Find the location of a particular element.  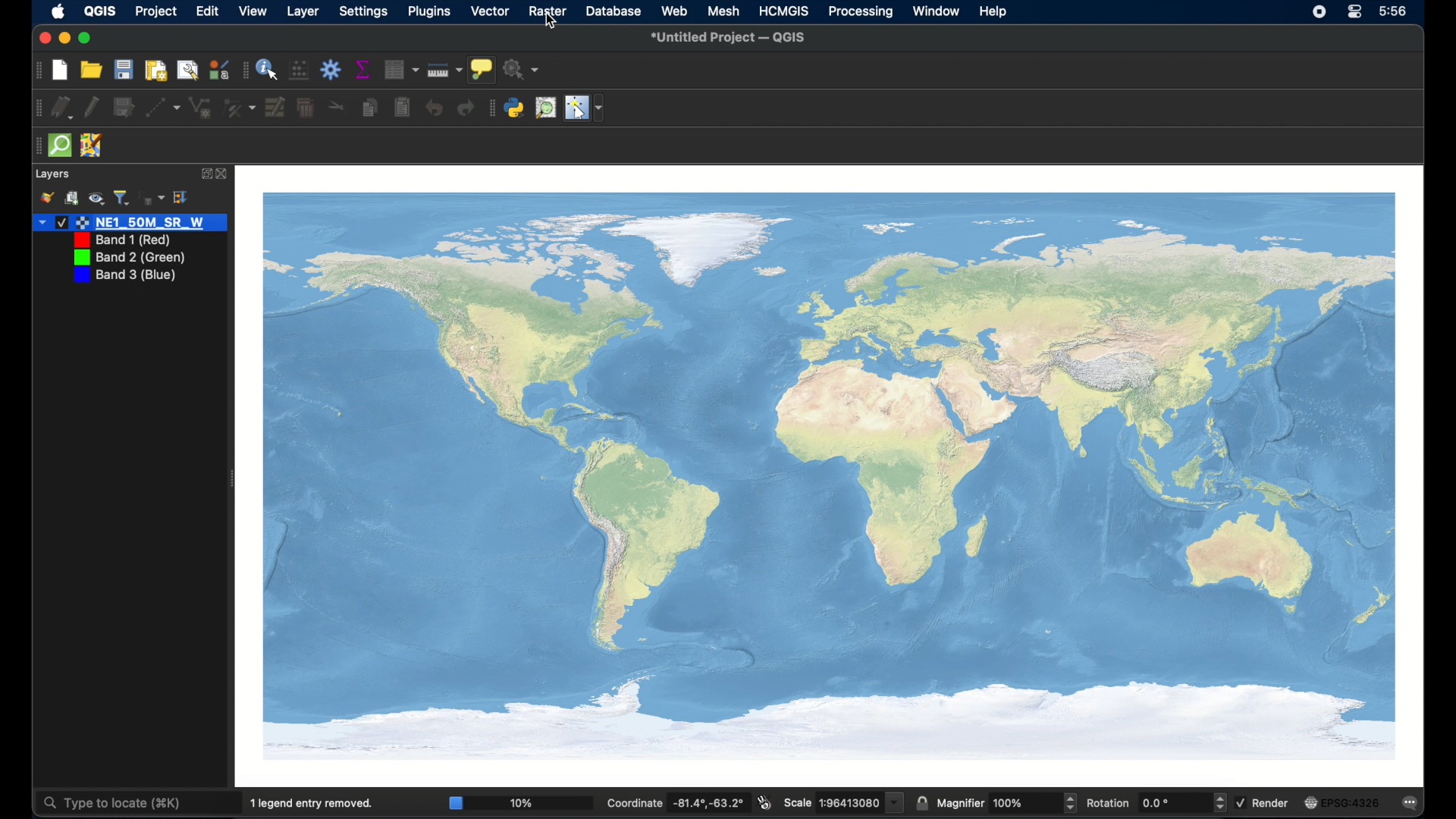

digitize with segment is located at coordinates (163, 108).